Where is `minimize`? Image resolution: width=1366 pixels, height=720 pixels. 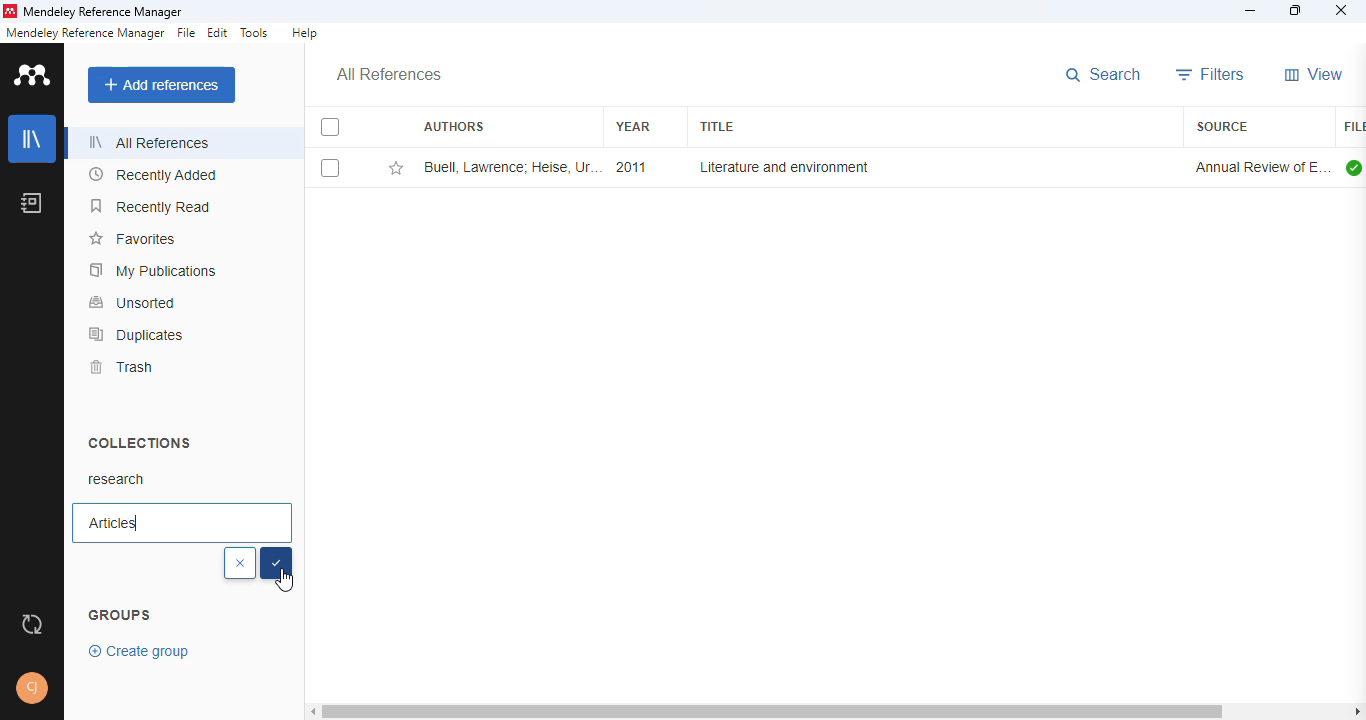 minimize is located at coordinates (1251, 12).